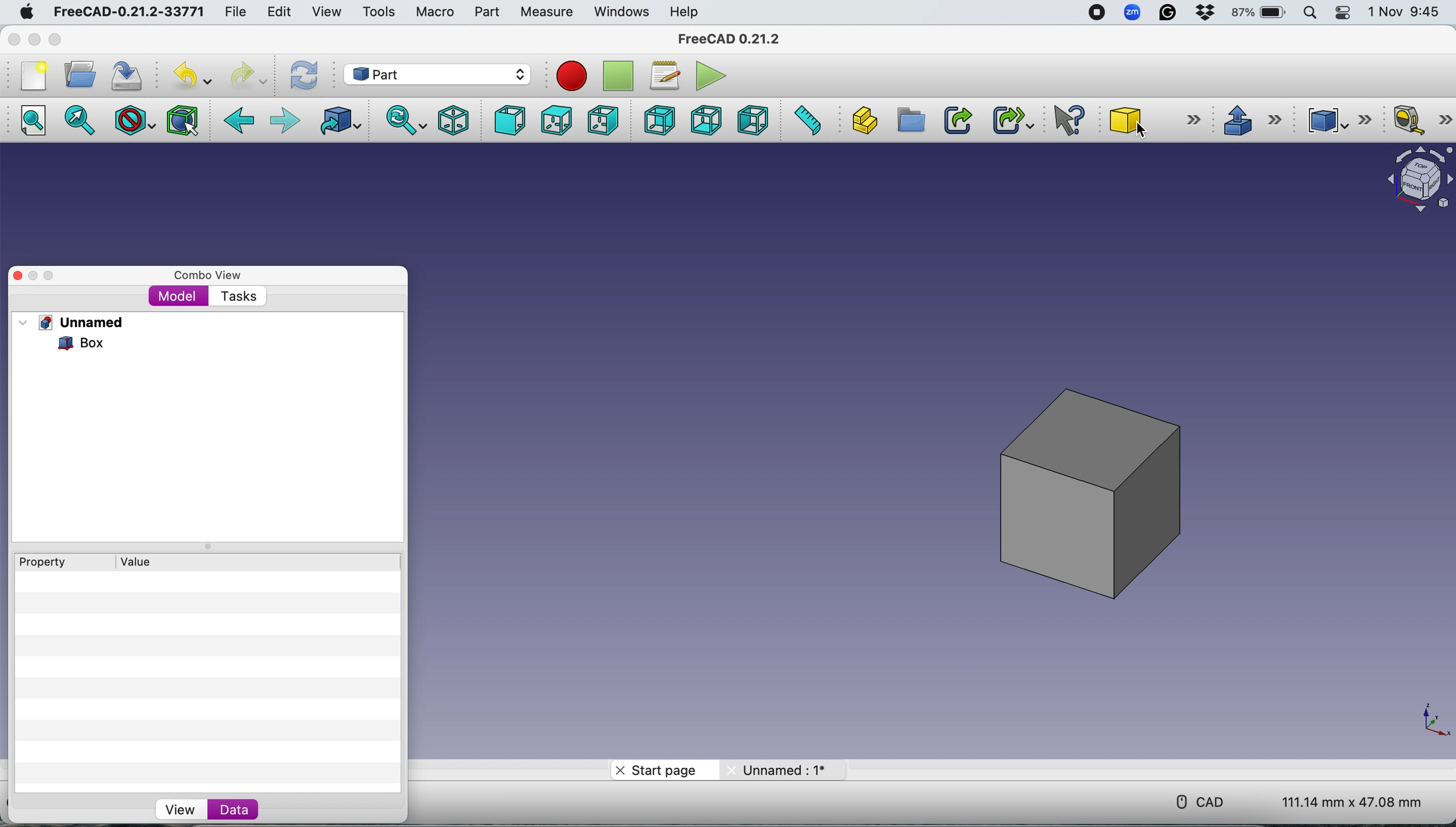 Image resolution: width=1456 pixels, height=827 pixels. I want to click on Create part, so click(861, 120).